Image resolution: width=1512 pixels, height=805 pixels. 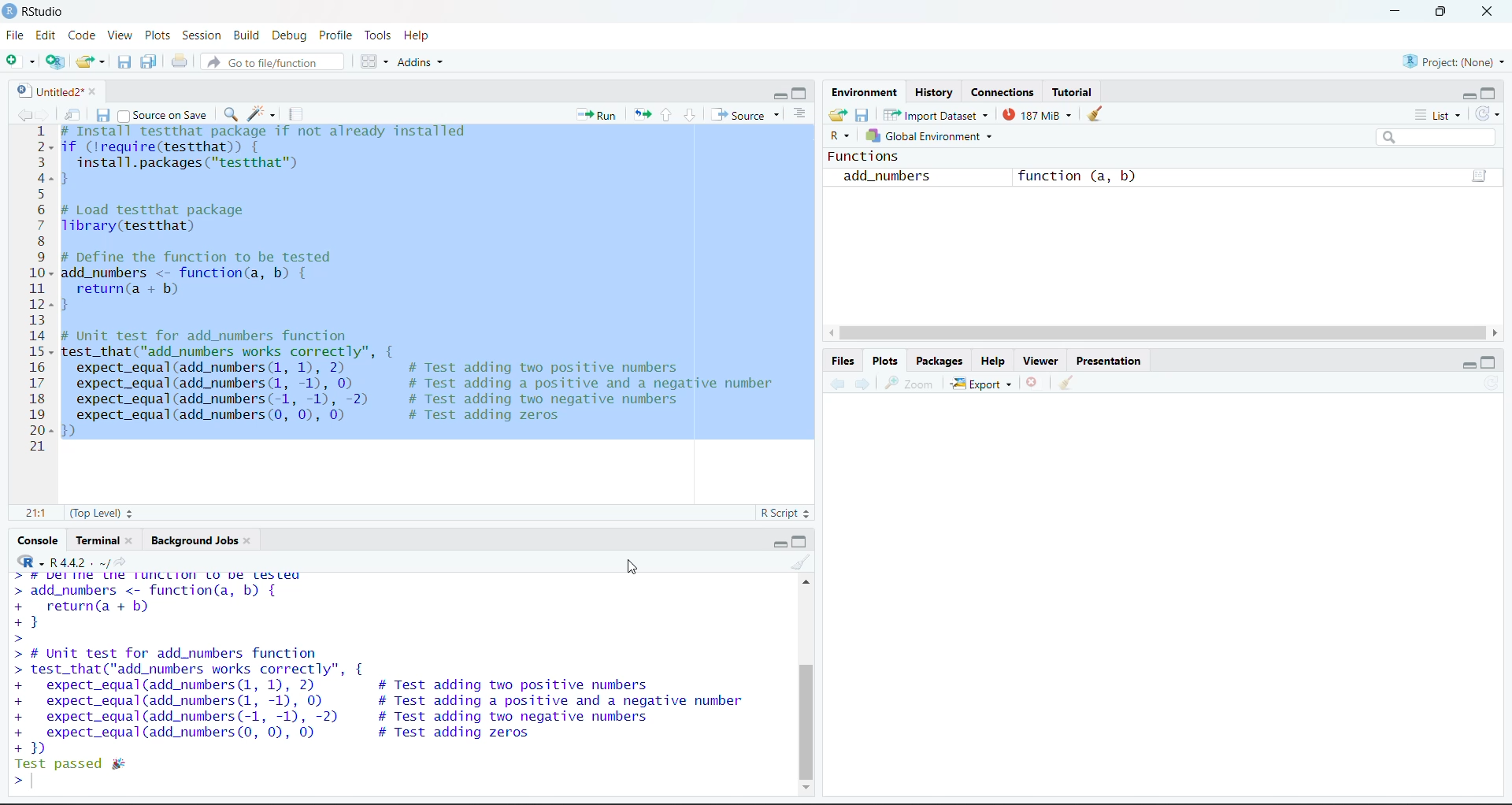 What do you see at coordinates (293, 114) in the screenshot?
I see `compile report` at bounding box center [293, 114].